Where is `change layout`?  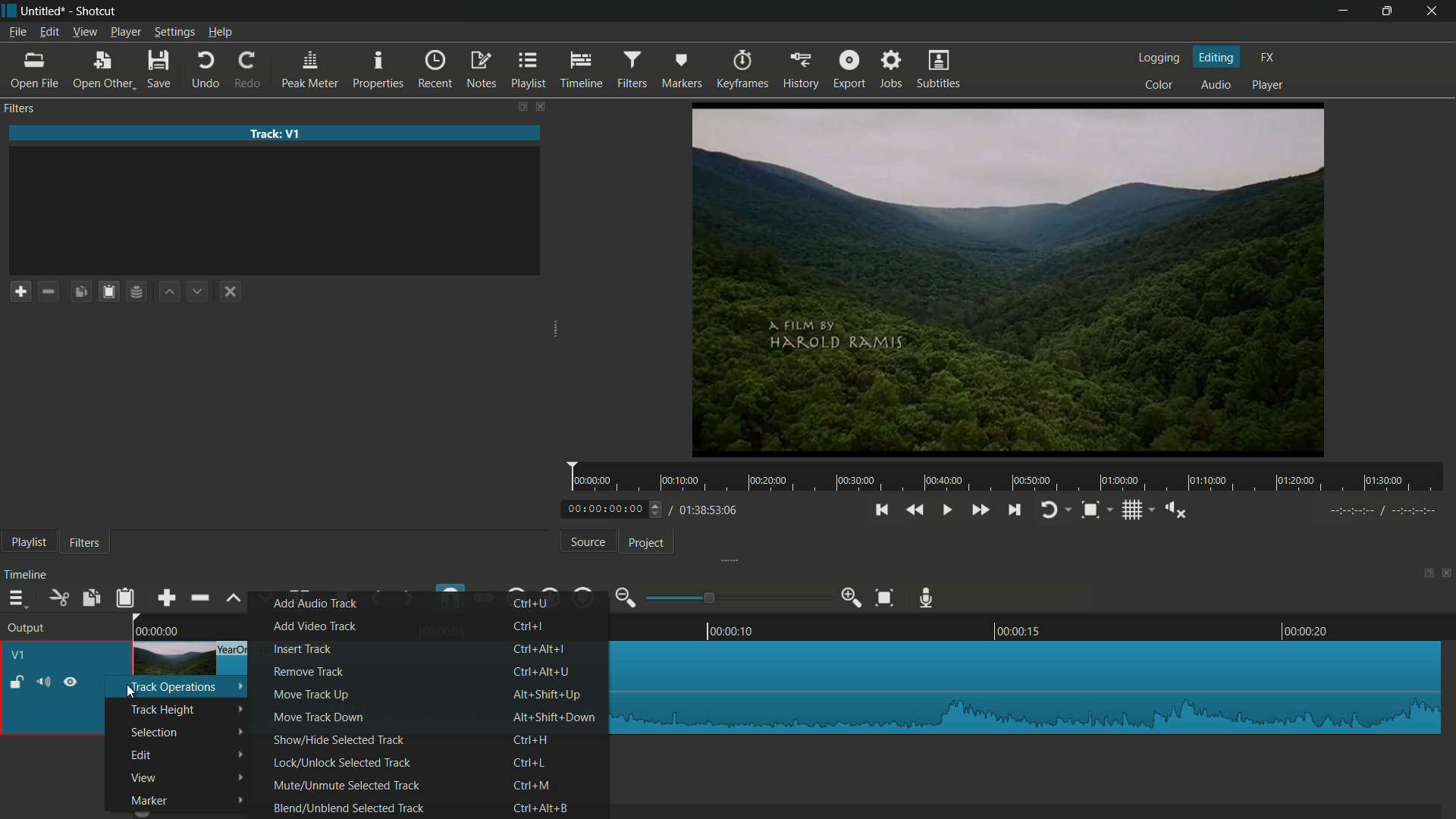
change layout is located at coordinates (521, 106).